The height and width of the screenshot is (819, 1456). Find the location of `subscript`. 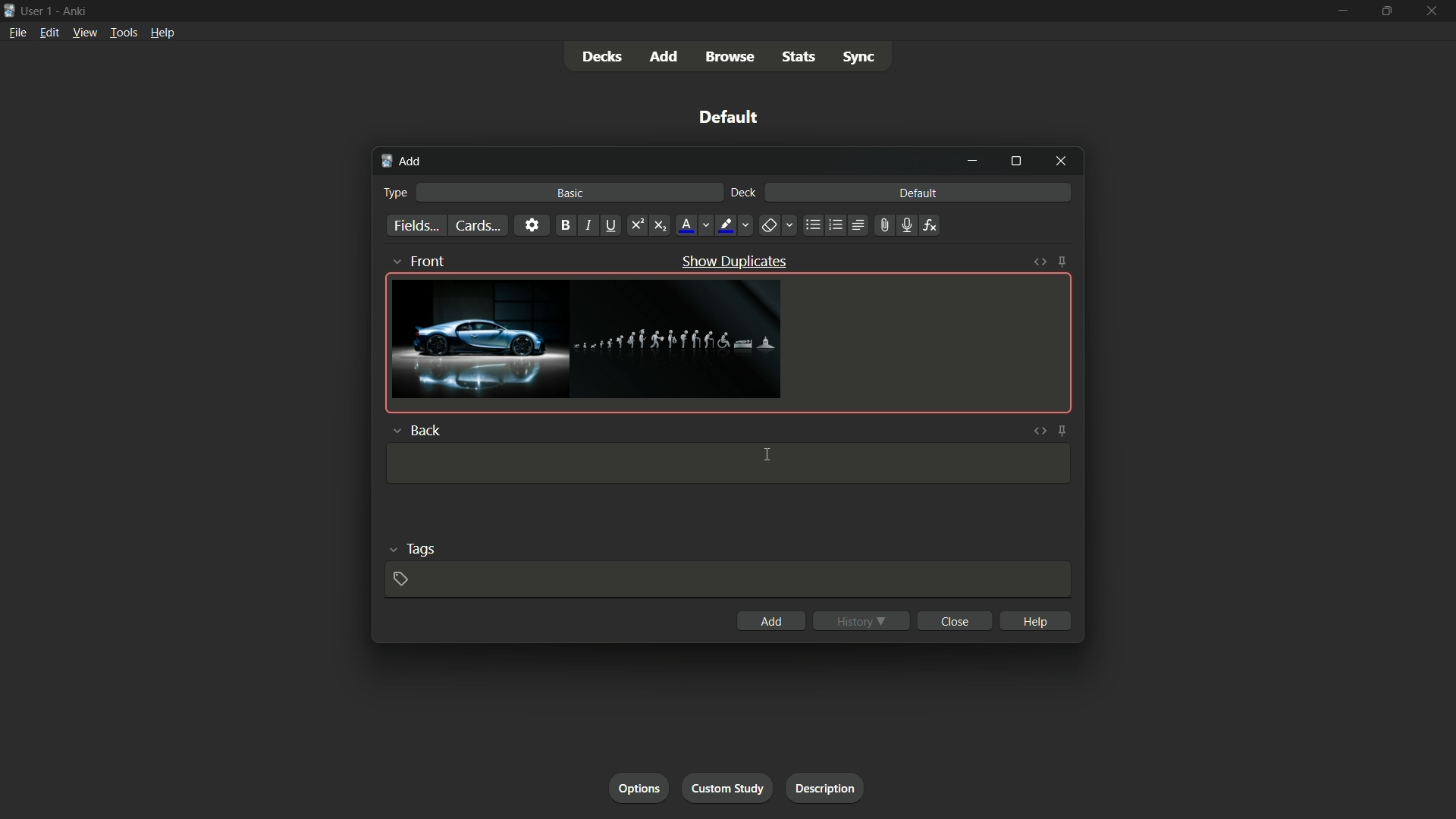

subscript is located at coordinates (661, 225).